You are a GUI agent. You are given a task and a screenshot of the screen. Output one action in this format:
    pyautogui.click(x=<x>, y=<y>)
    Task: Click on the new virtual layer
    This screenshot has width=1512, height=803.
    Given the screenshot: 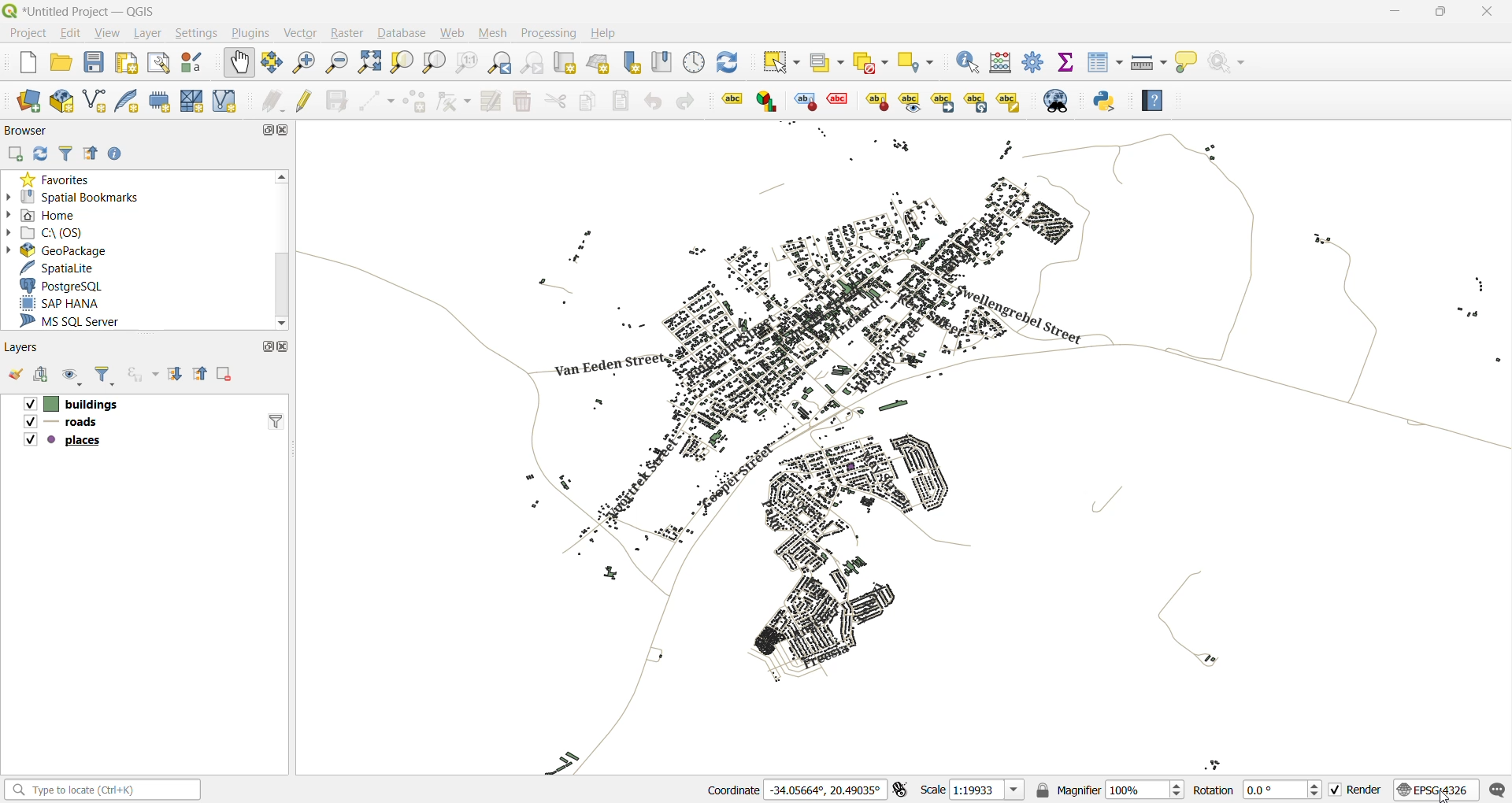 What is the action you would take?
    pyautogui.click(x=221, y=102)
    